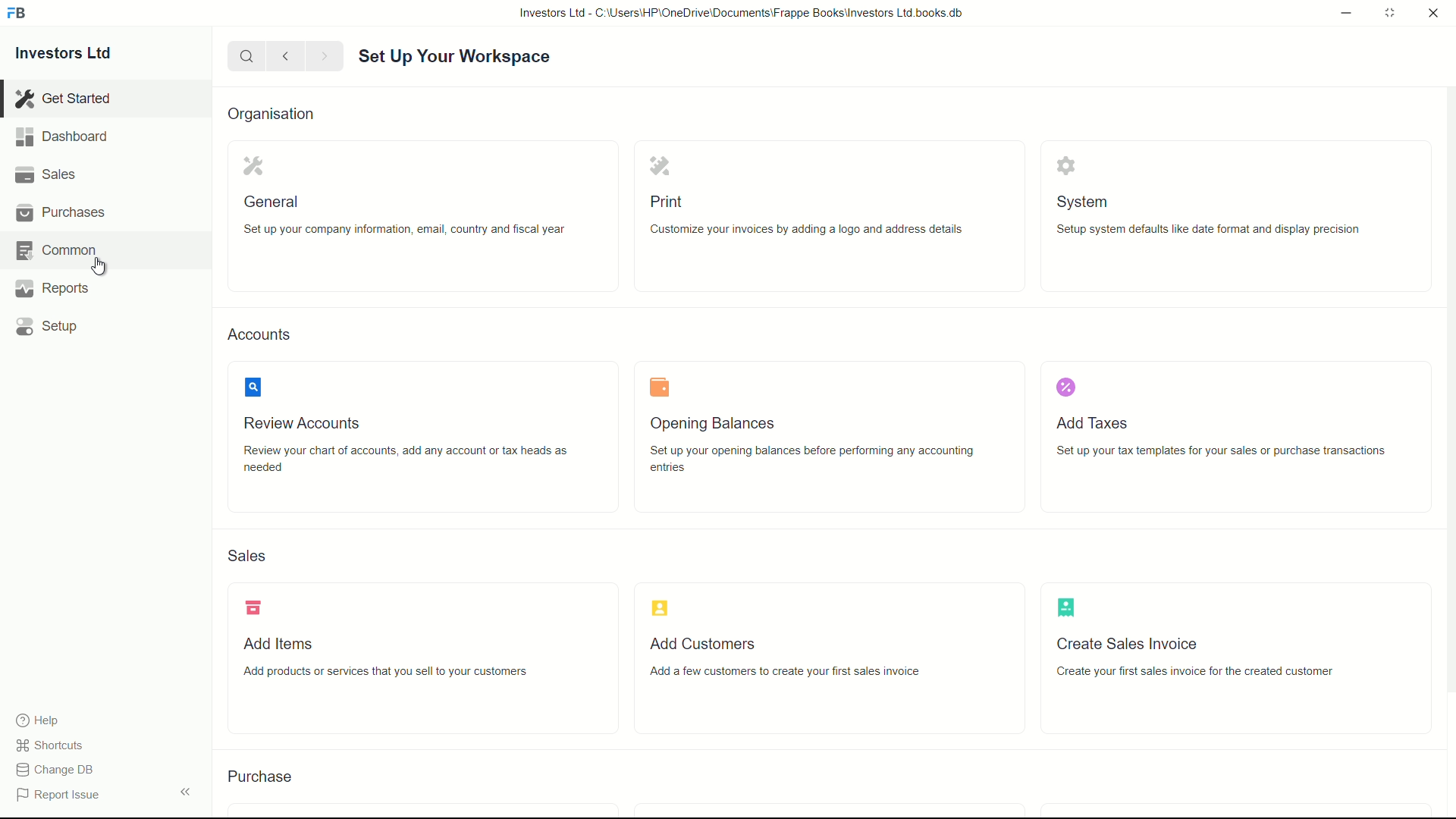 The height and width of the screenshot is (819, 1456). I want to click on Setup system defaults like date format and display precision, so click(1206, 229).